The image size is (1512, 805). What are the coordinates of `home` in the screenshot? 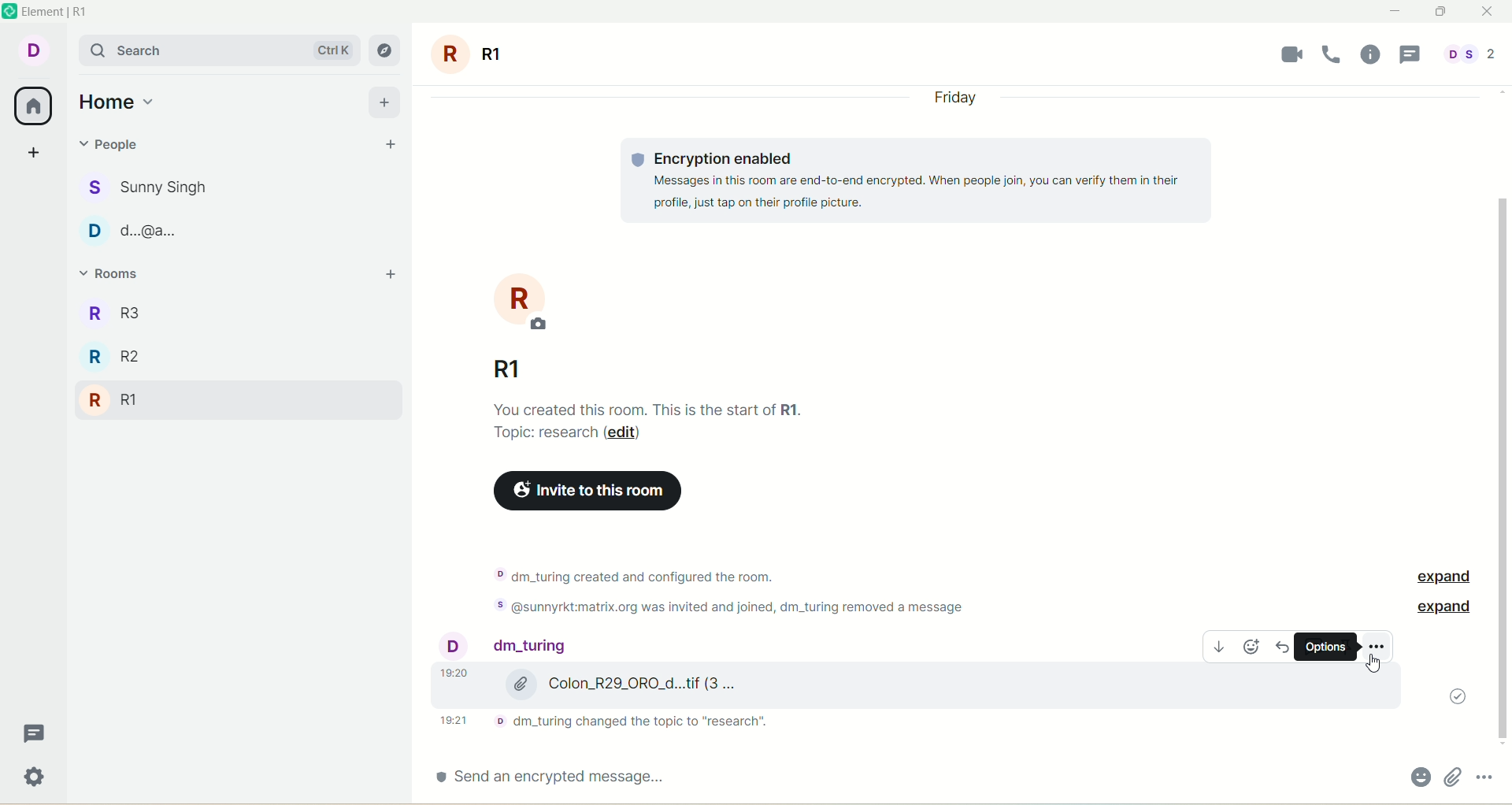 It's located at (117, 102).